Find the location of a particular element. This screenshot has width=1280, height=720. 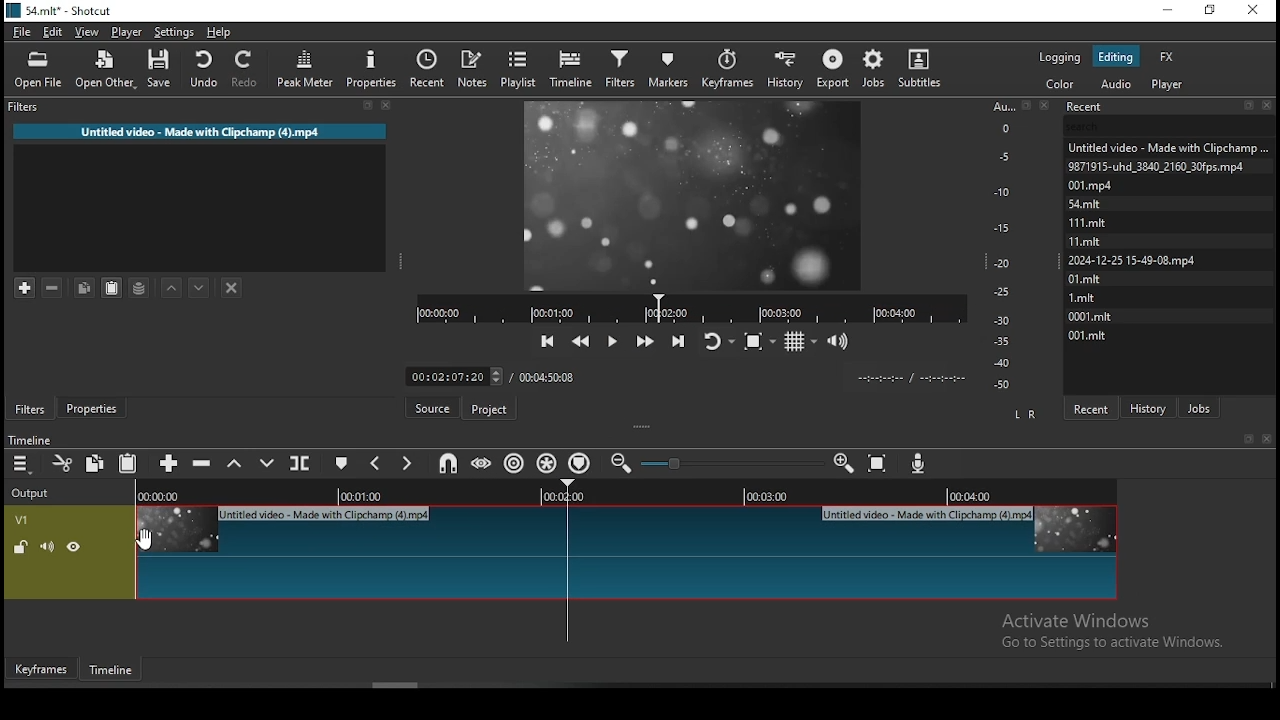

files is located at coordinates (1165, 144).